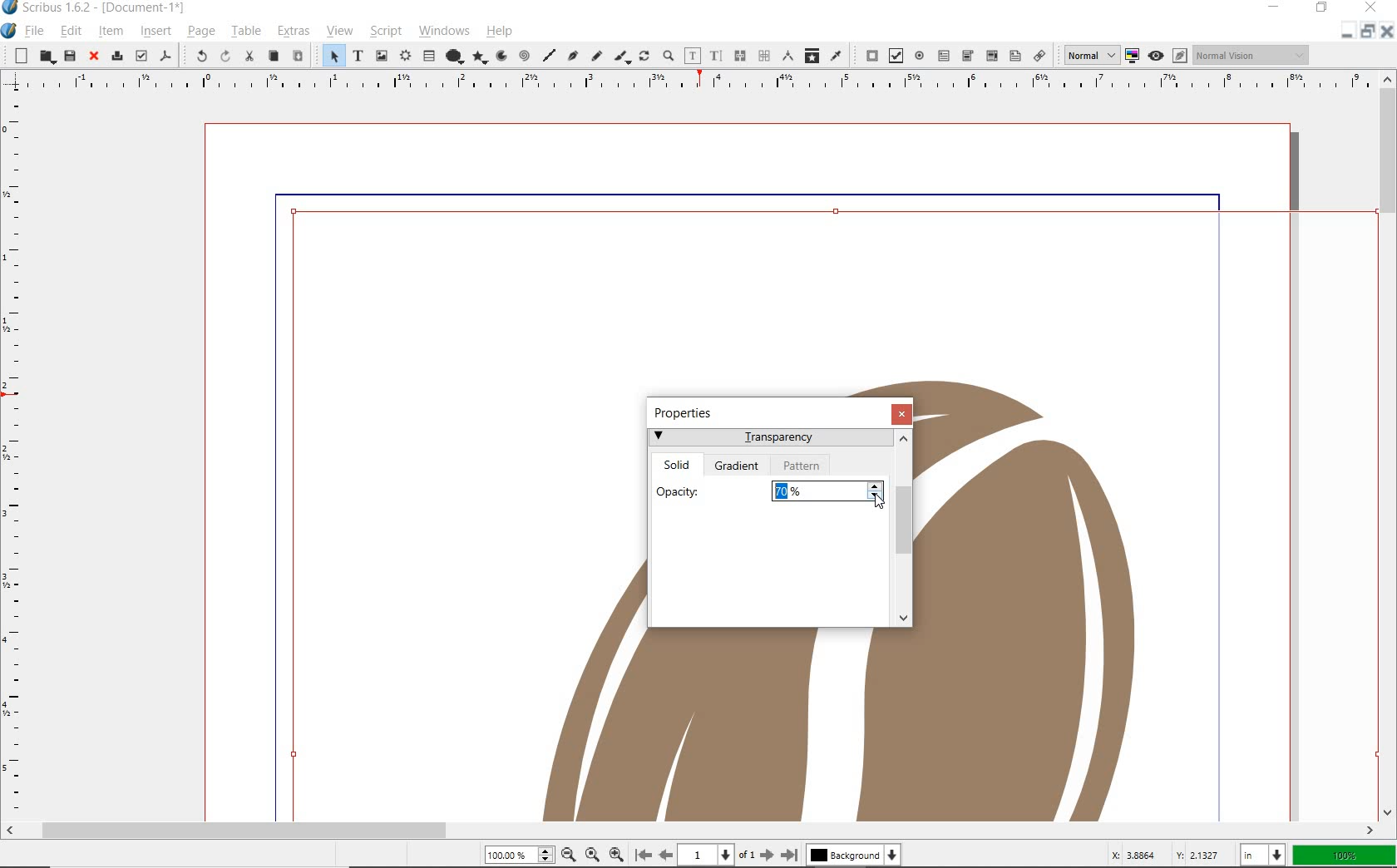 The image size is (1397, 868). Describe the element at coordinates (903, 530) in the screenshot. I see `Scroll Bar` at that location.